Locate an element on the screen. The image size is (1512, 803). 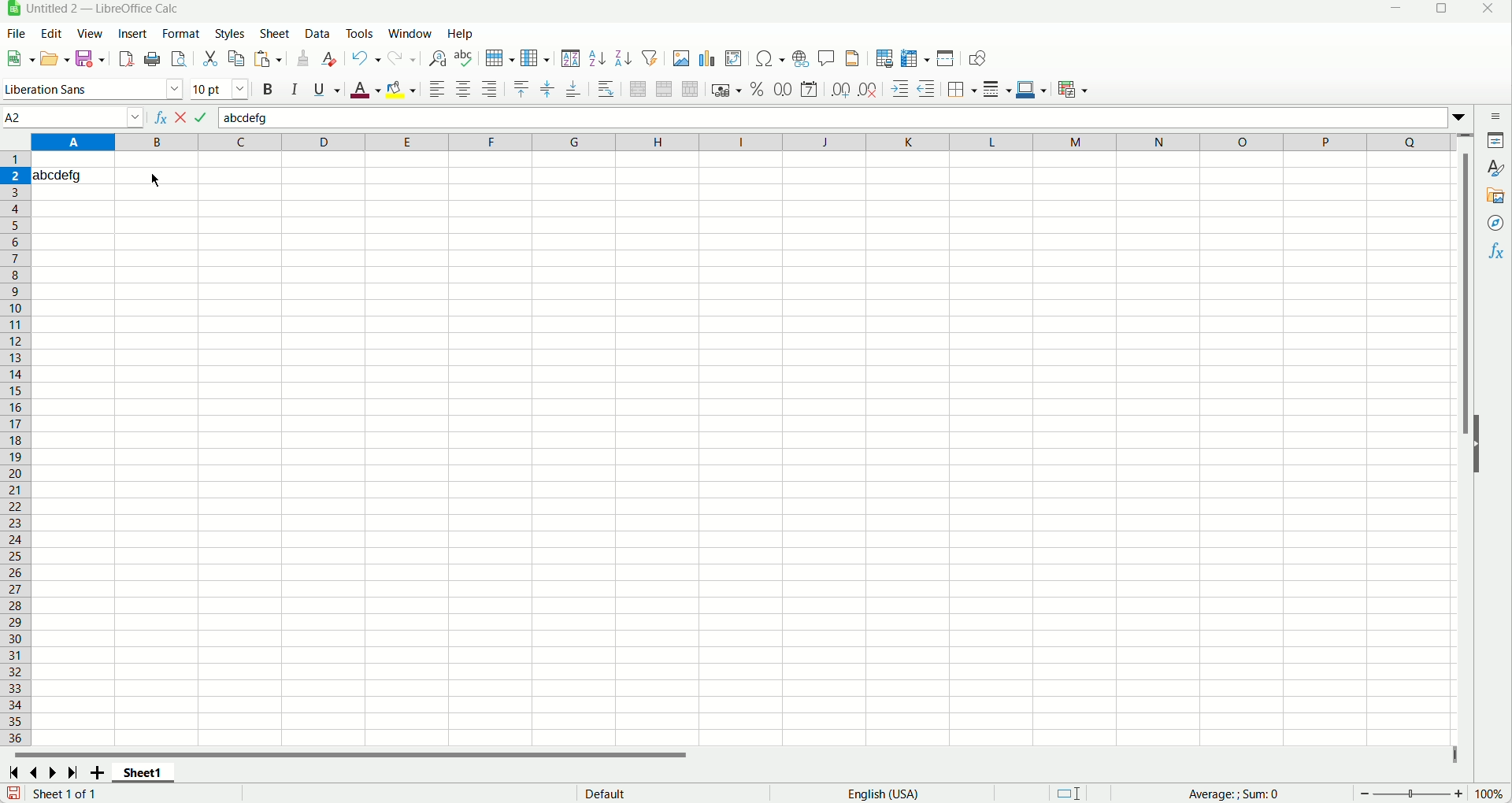
column is located at coordinates (537, 58).